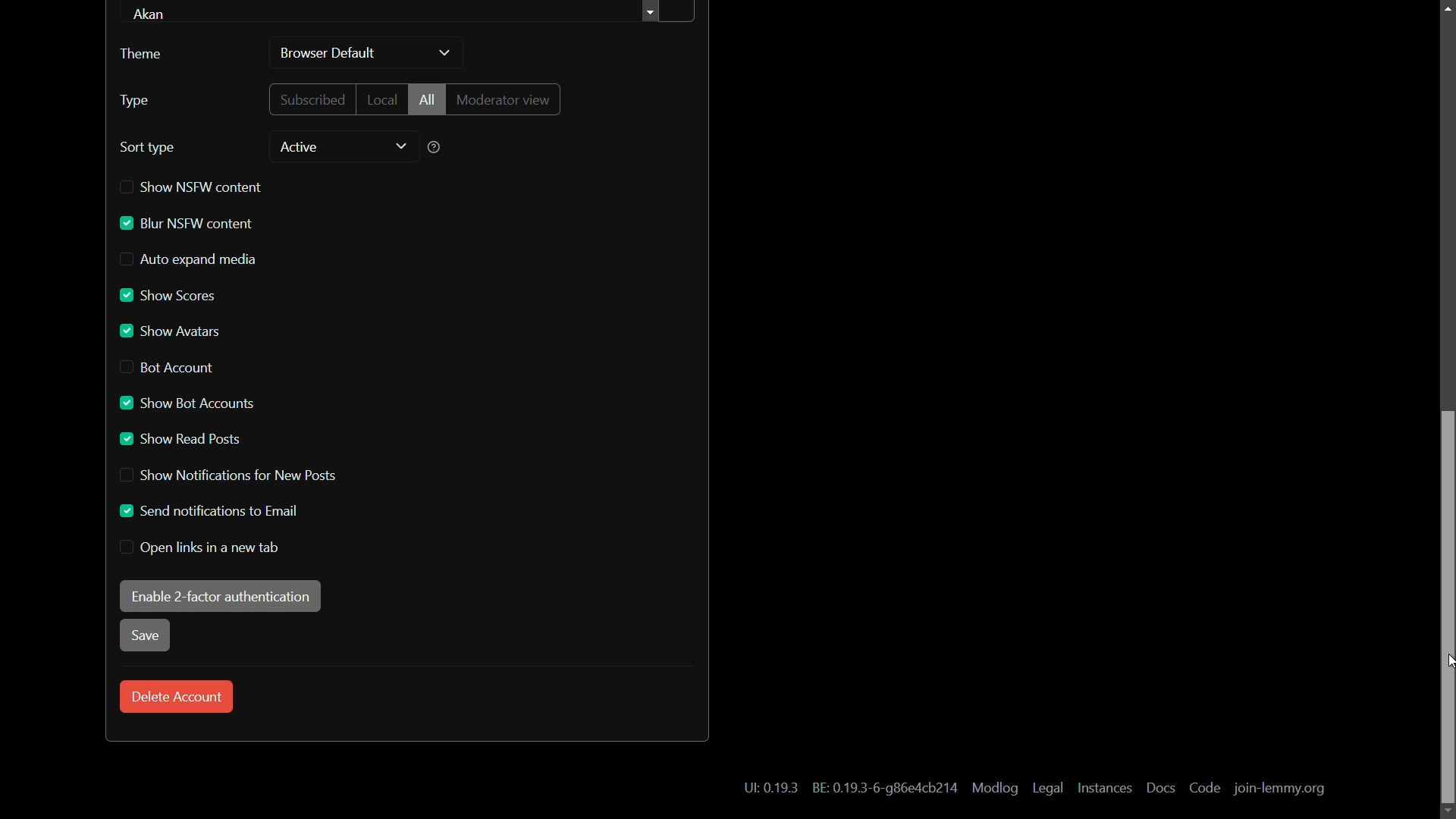  What do you see at coordinates (169, 367) in the screenshot?
I see `bot account` at bounding box center [169, 367].